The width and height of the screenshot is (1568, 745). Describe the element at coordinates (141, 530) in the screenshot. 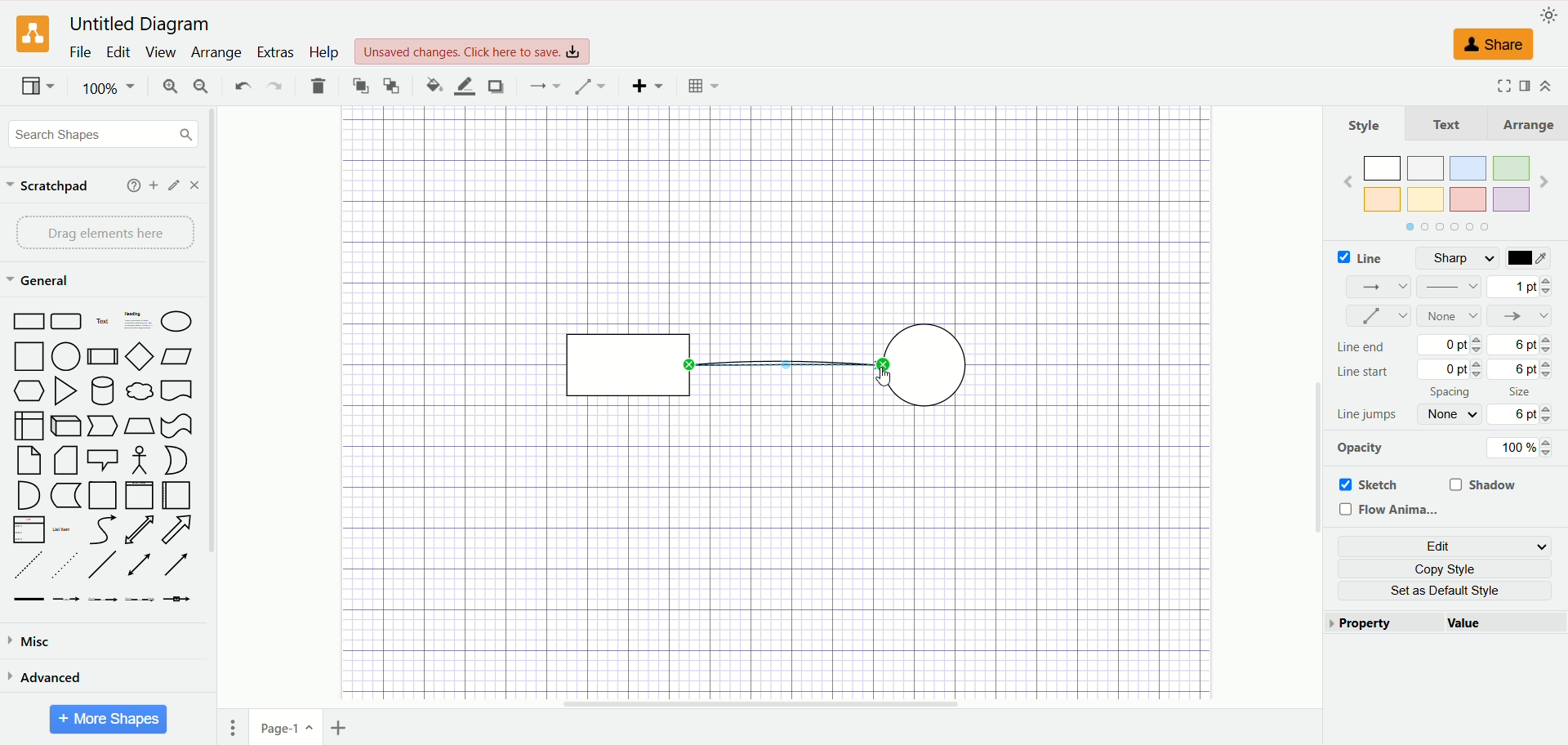

I see `Two way Arrow` at that location.